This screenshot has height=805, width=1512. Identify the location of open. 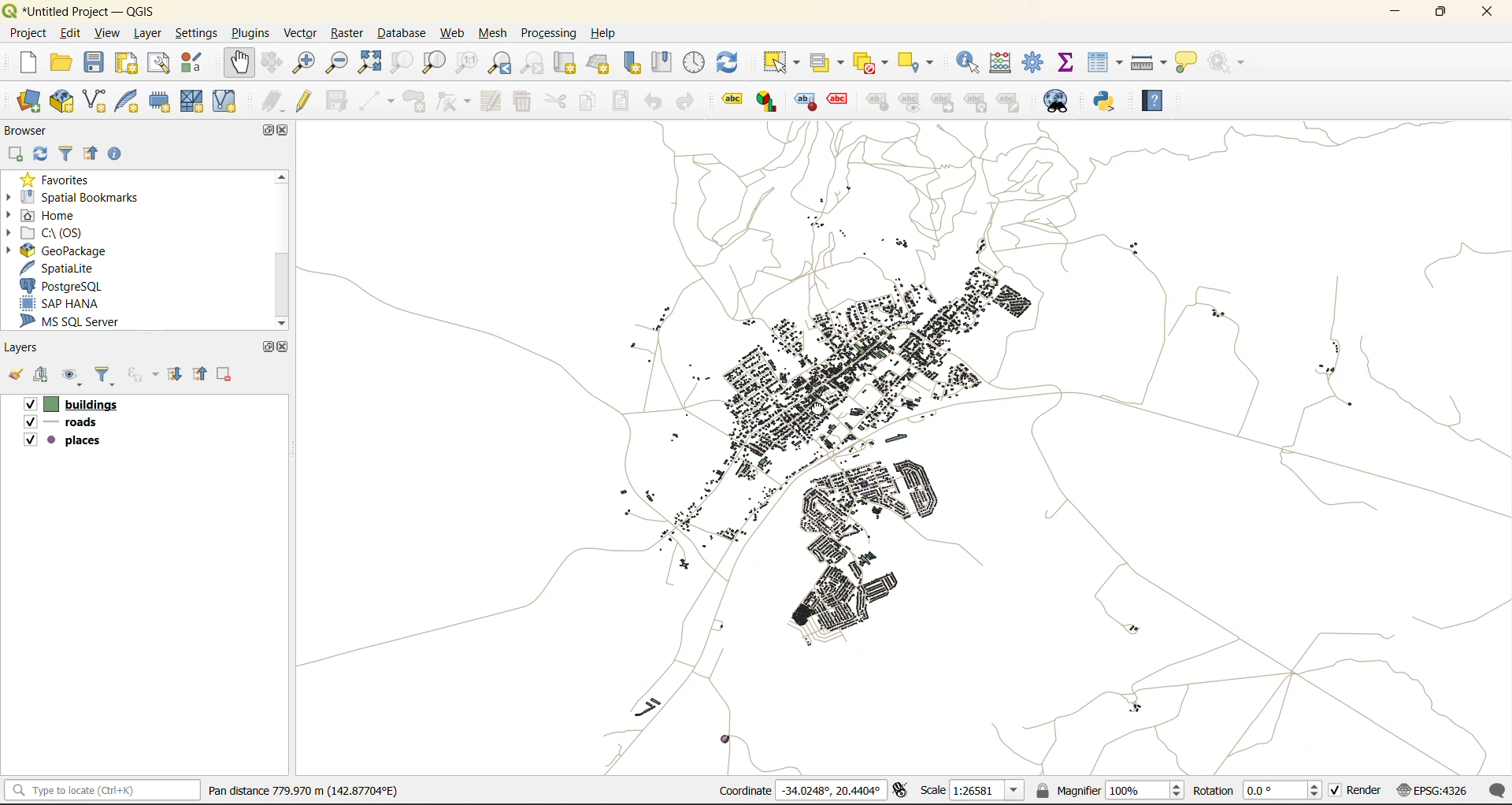
(61, 63).